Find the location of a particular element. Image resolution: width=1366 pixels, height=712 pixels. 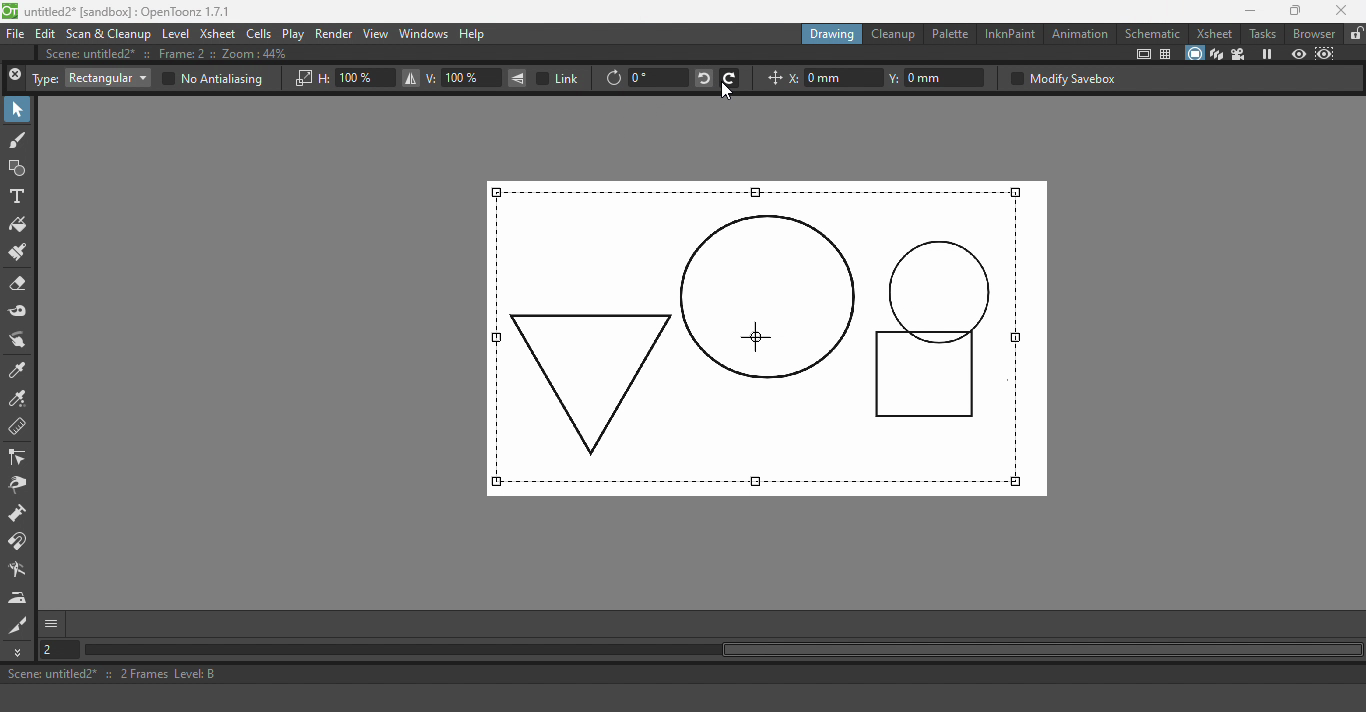

Preview is located at coordinates (1298, 53).